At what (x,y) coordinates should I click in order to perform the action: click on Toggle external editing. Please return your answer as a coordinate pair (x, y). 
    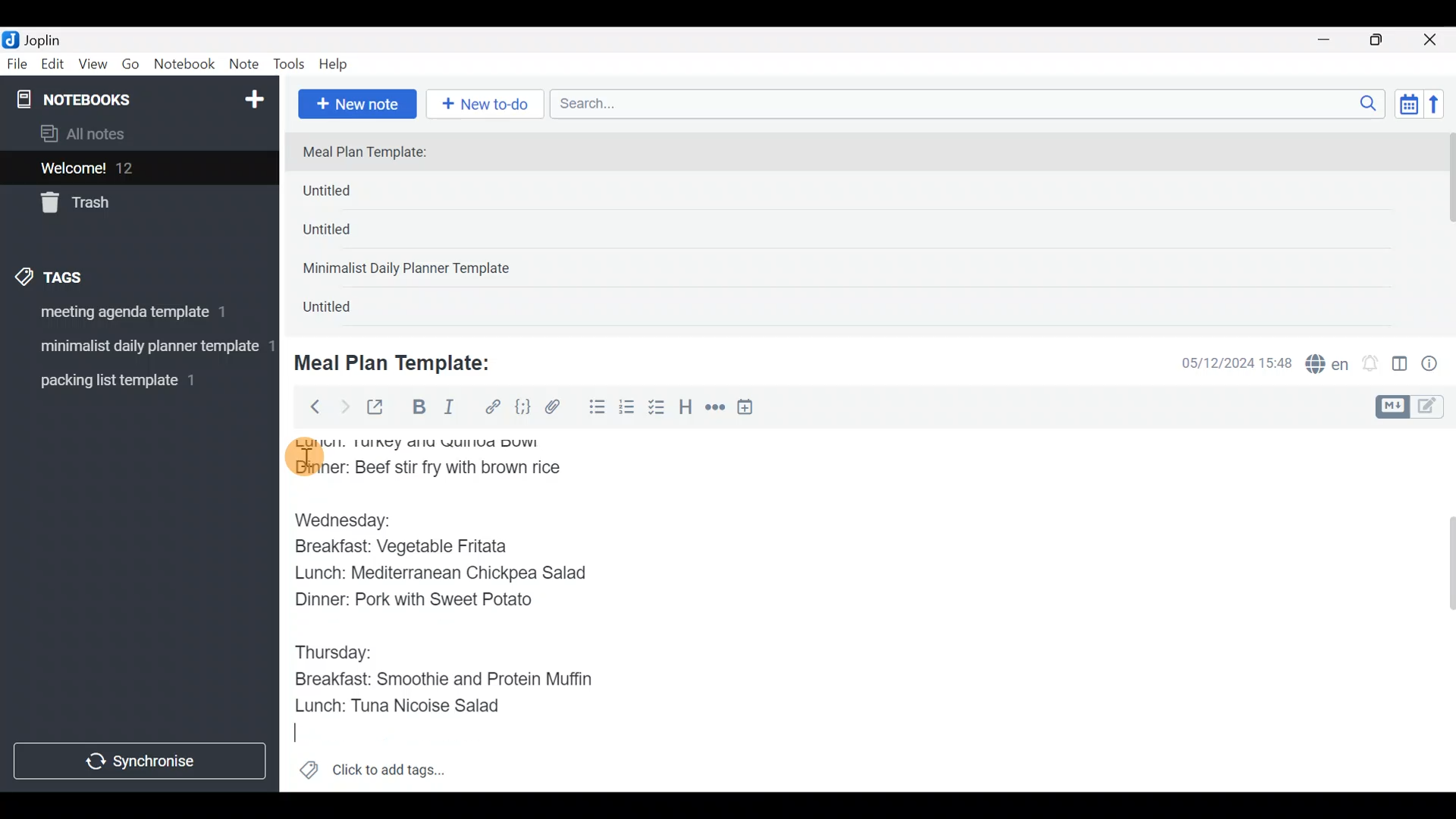
    Looking at the image, I should click on (381, 408).